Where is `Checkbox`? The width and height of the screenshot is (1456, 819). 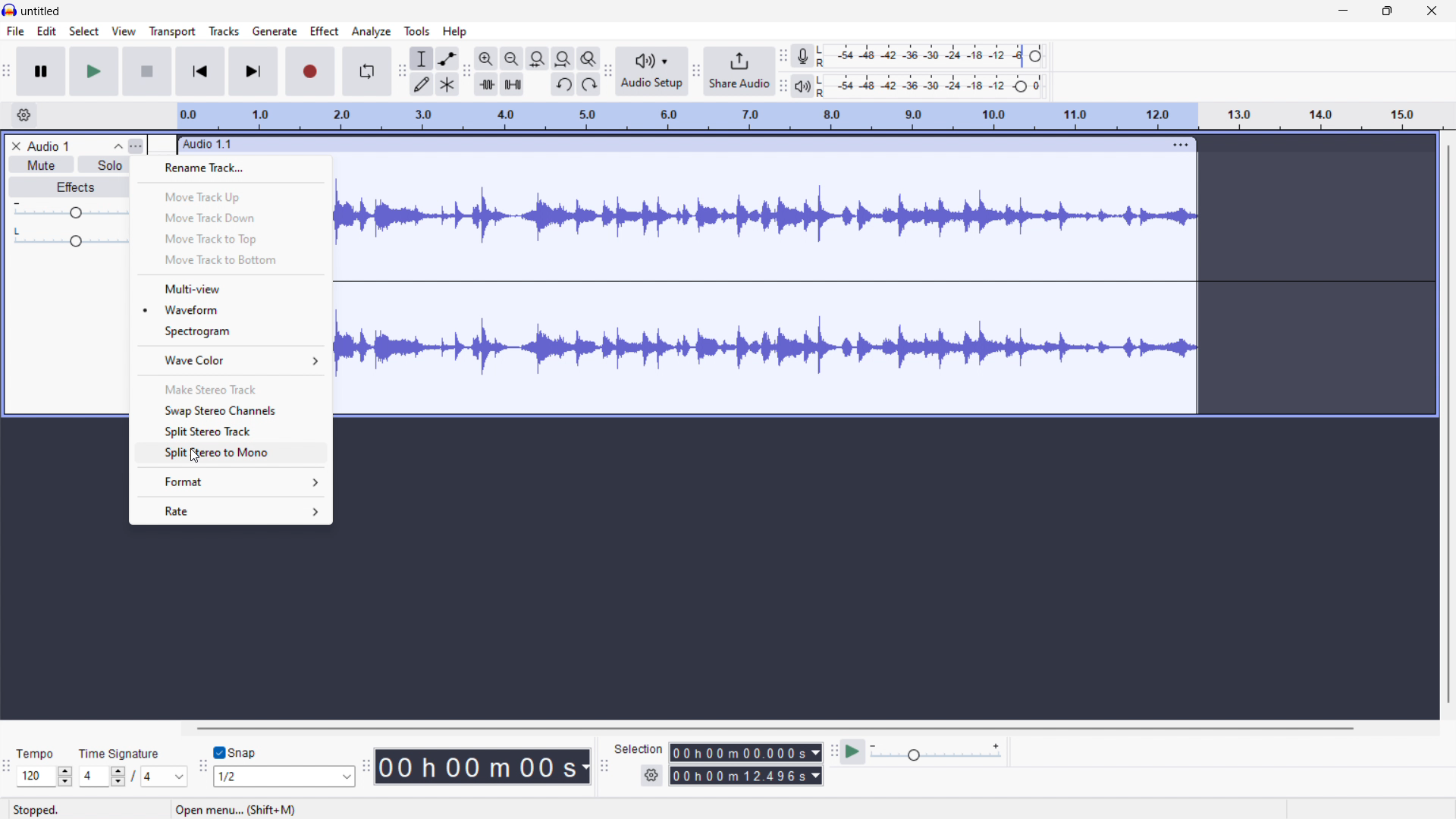 Checkbox is located at coordinates (218, 753).